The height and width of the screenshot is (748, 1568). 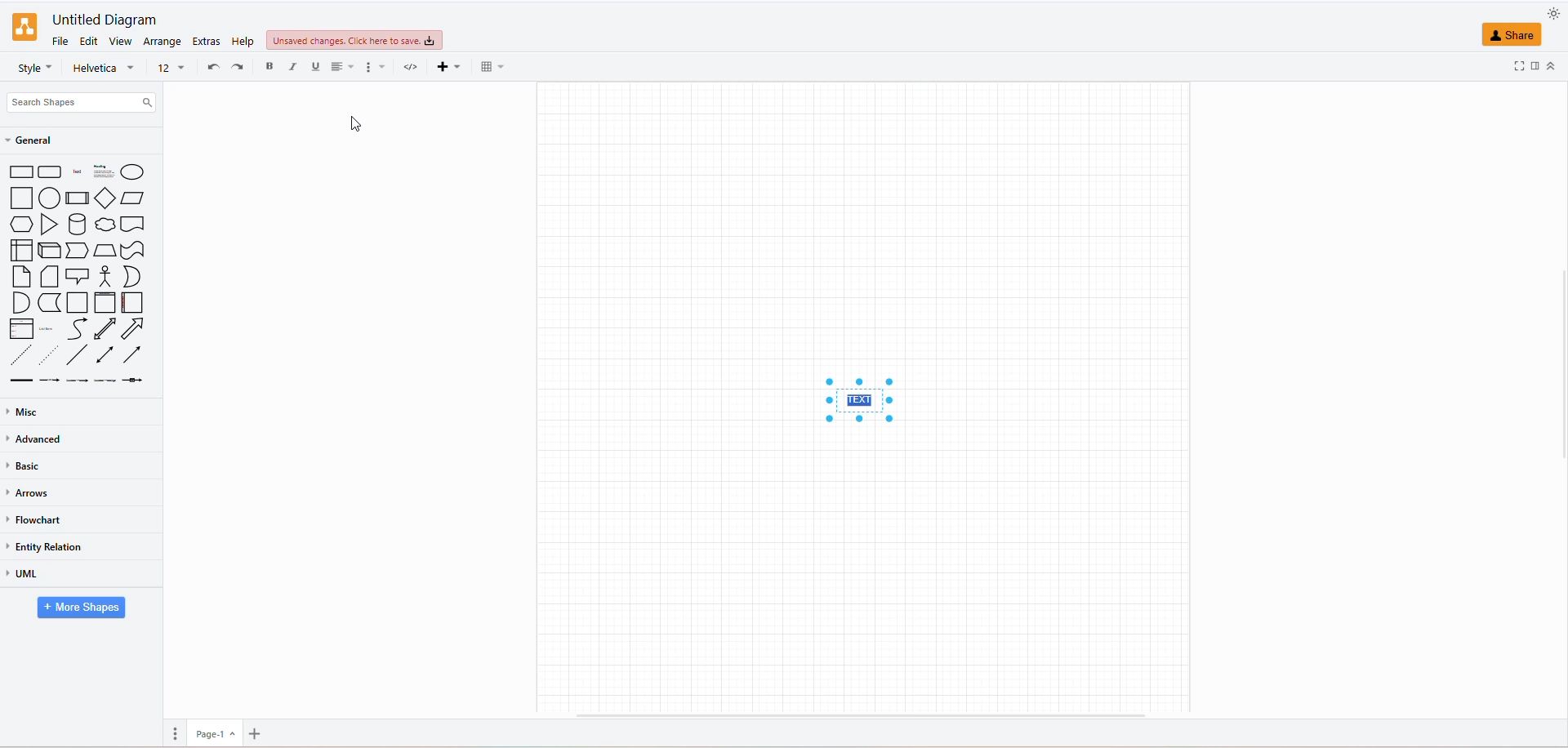 What do you see at coordinates (215, 66) in the screenshot?
I see `undo` at bounding box center [215, 66].